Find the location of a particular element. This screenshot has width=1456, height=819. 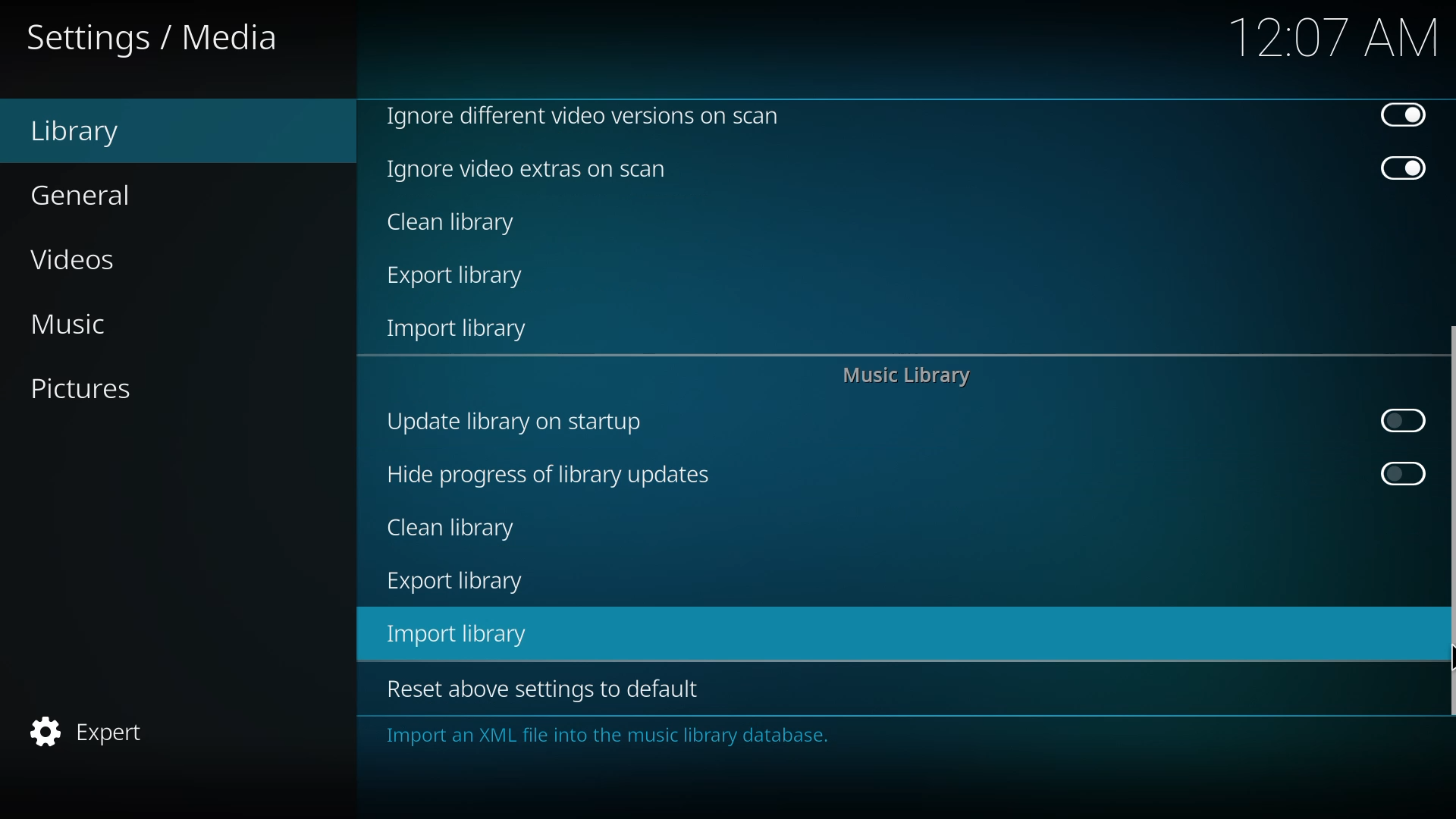

export is located at coordinates (460, 278).